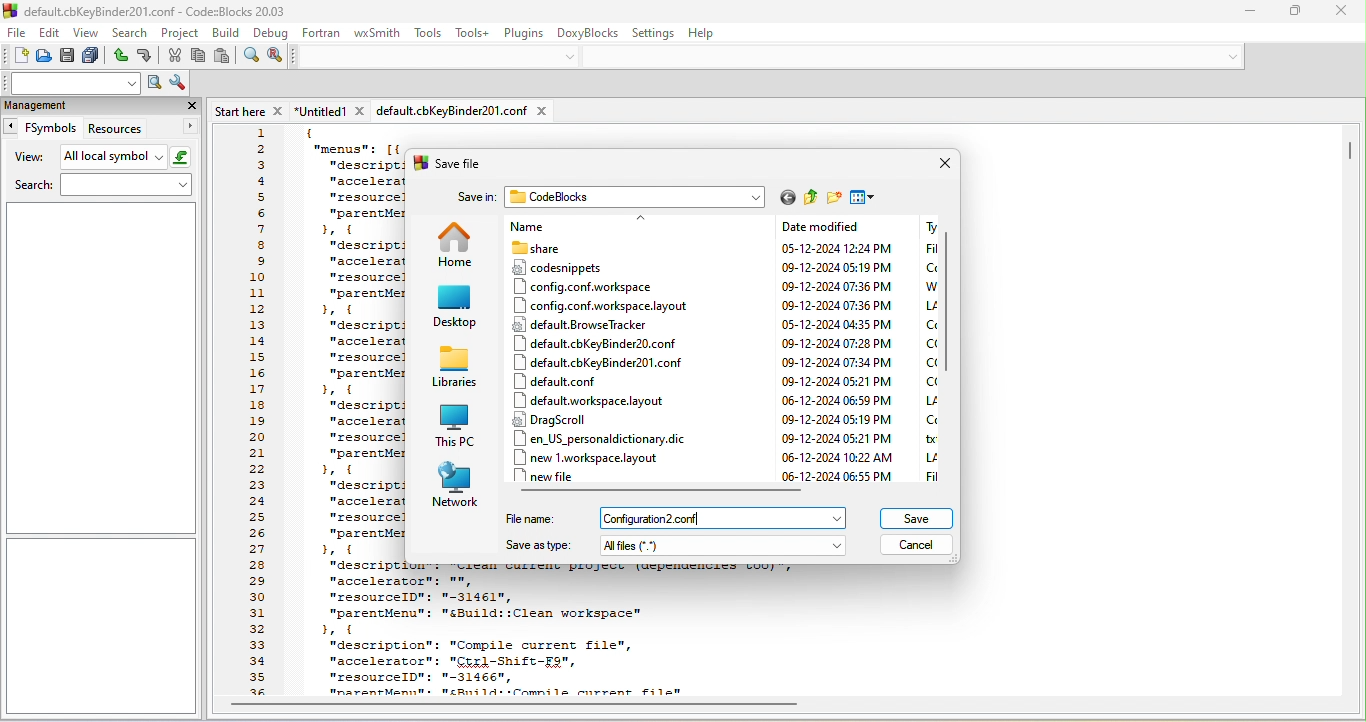  What do you see at coordinates (272, 33) in the screenshot?
I see `debug` at bounding box center [272, 33].